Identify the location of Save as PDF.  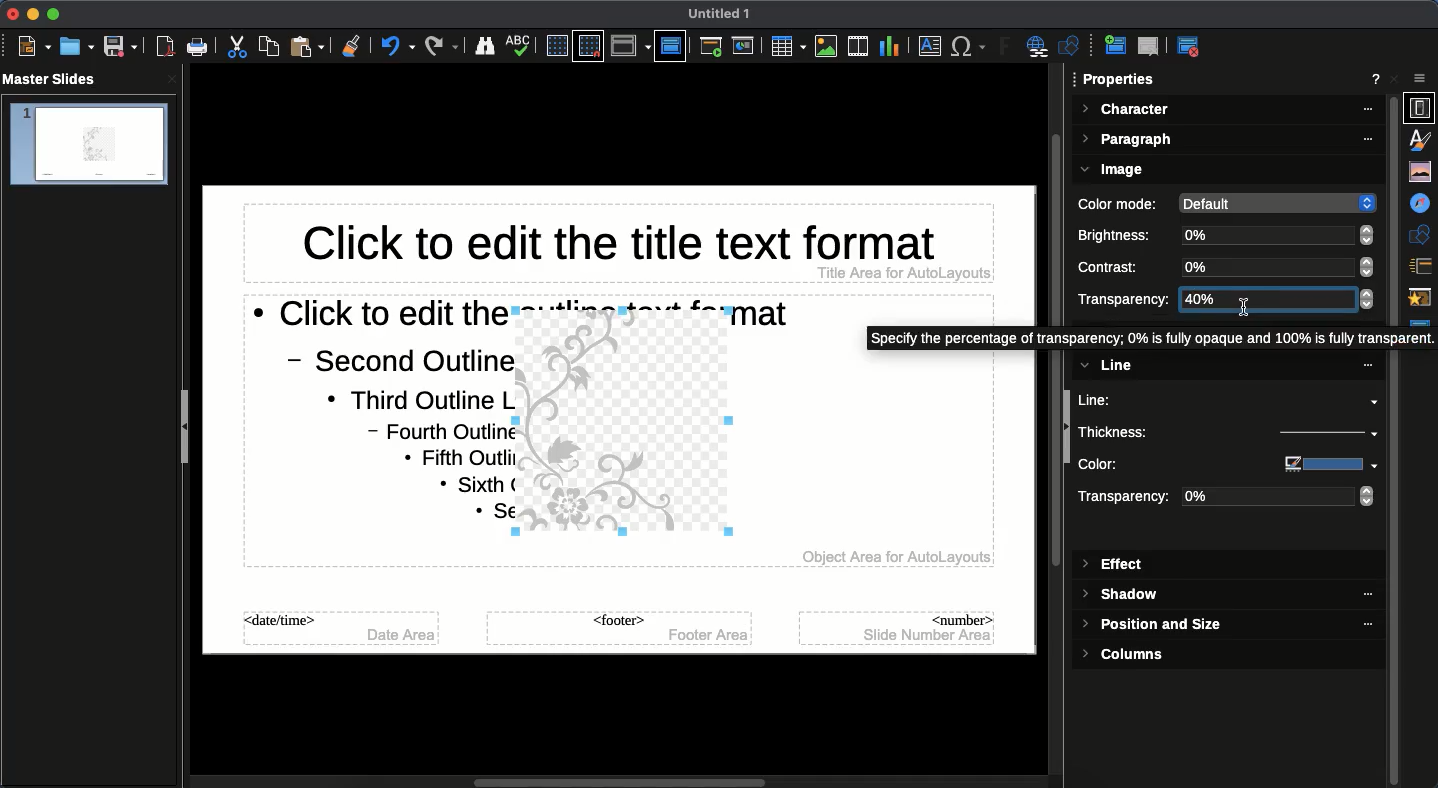
(167, 49).